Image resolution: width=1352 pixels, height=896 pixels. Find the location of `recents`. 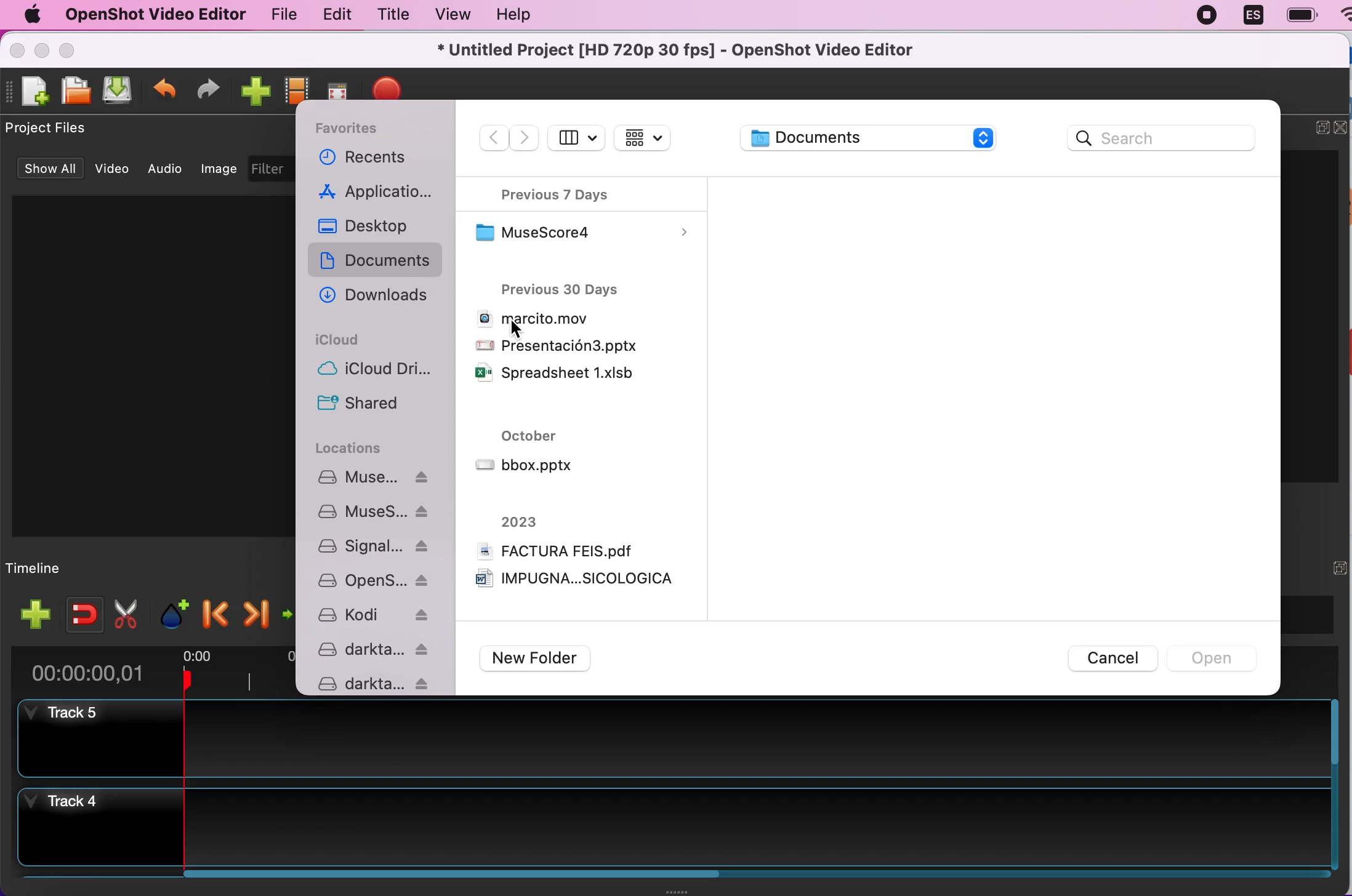

recents is located at coordinates (372, 159).